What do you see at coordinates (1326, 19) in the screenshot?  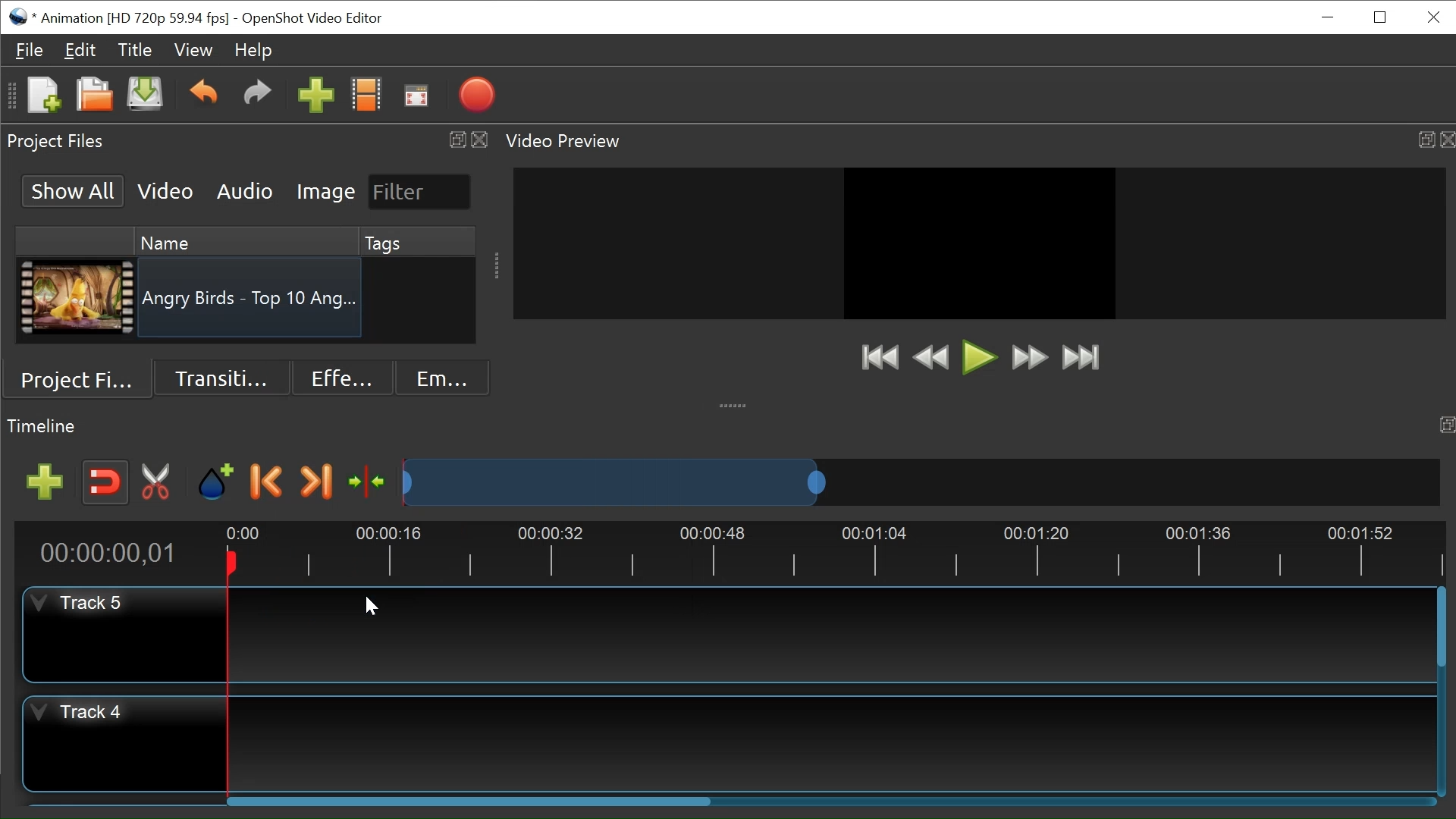 I see `minimize` at bounding box center [1326, 19].